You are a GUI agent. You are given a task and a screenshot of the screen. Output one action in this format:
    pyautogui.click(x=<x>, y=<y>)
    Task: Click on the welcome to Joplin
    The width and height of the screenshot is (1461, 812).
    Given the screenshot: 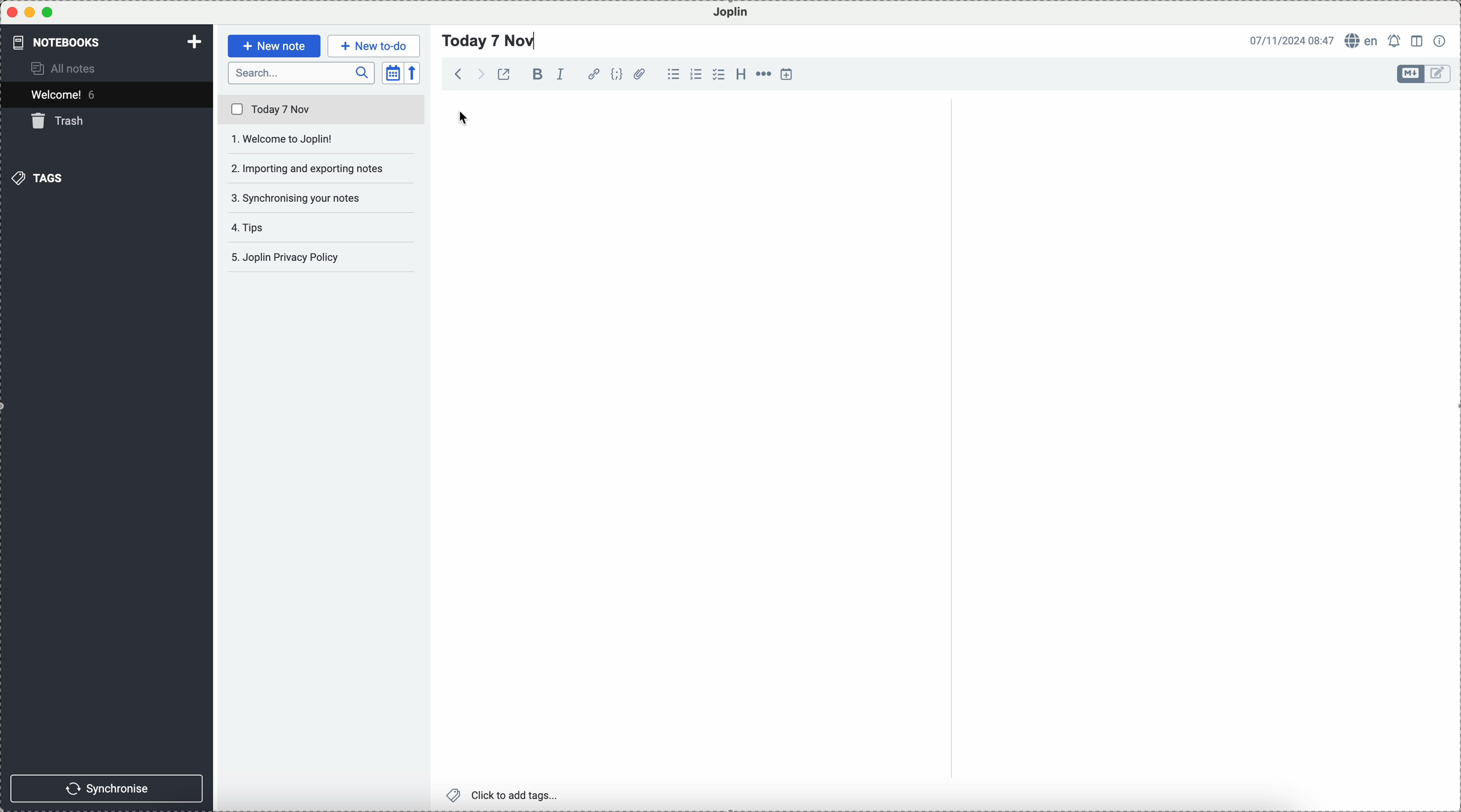 What is the action you would take?
    pyautogui.click(x=321, y=139)
    